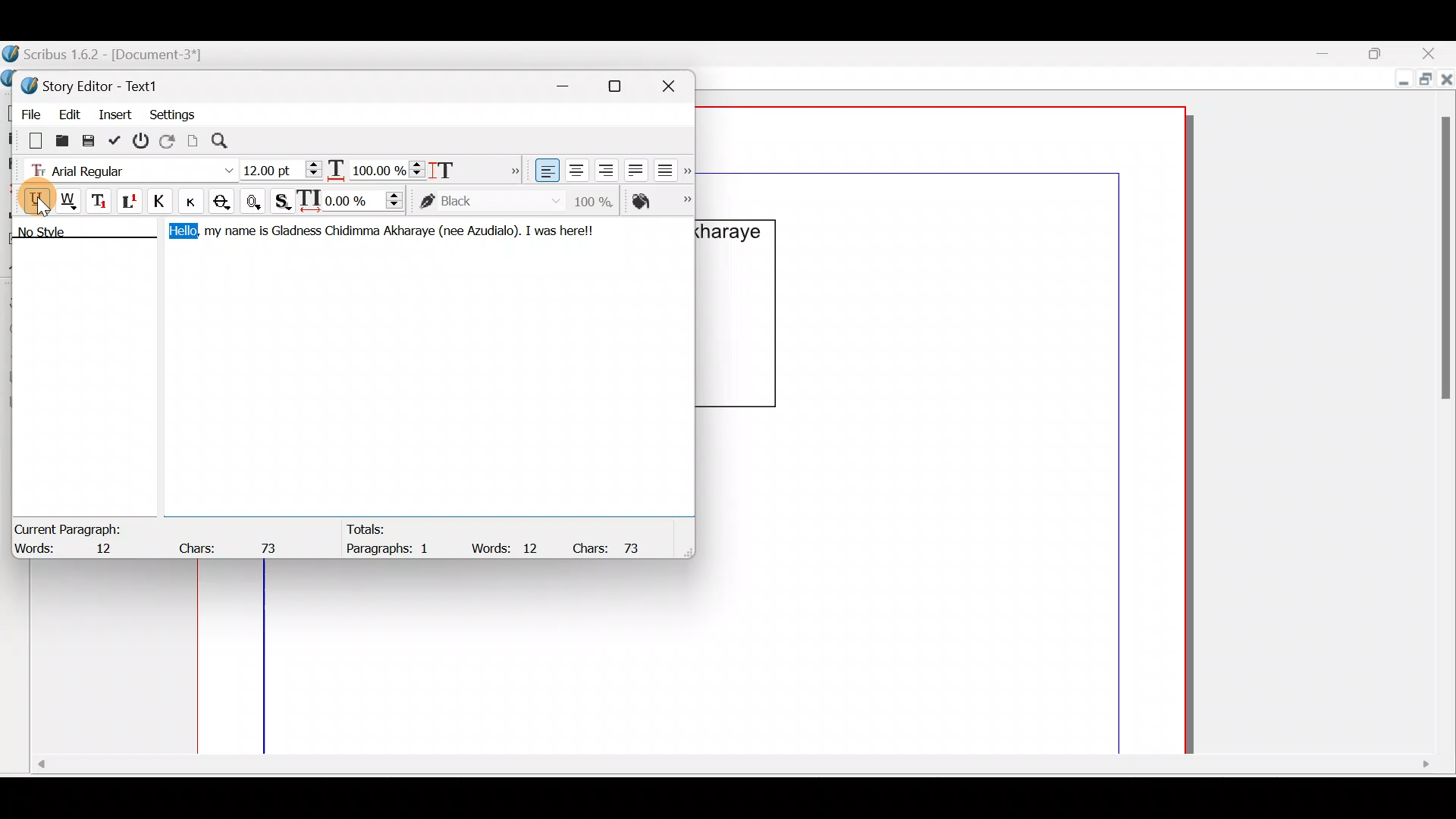  What do you see at coordinates (27, 111) in the screenshot?
I see `File` at bounding box center [27, 111].